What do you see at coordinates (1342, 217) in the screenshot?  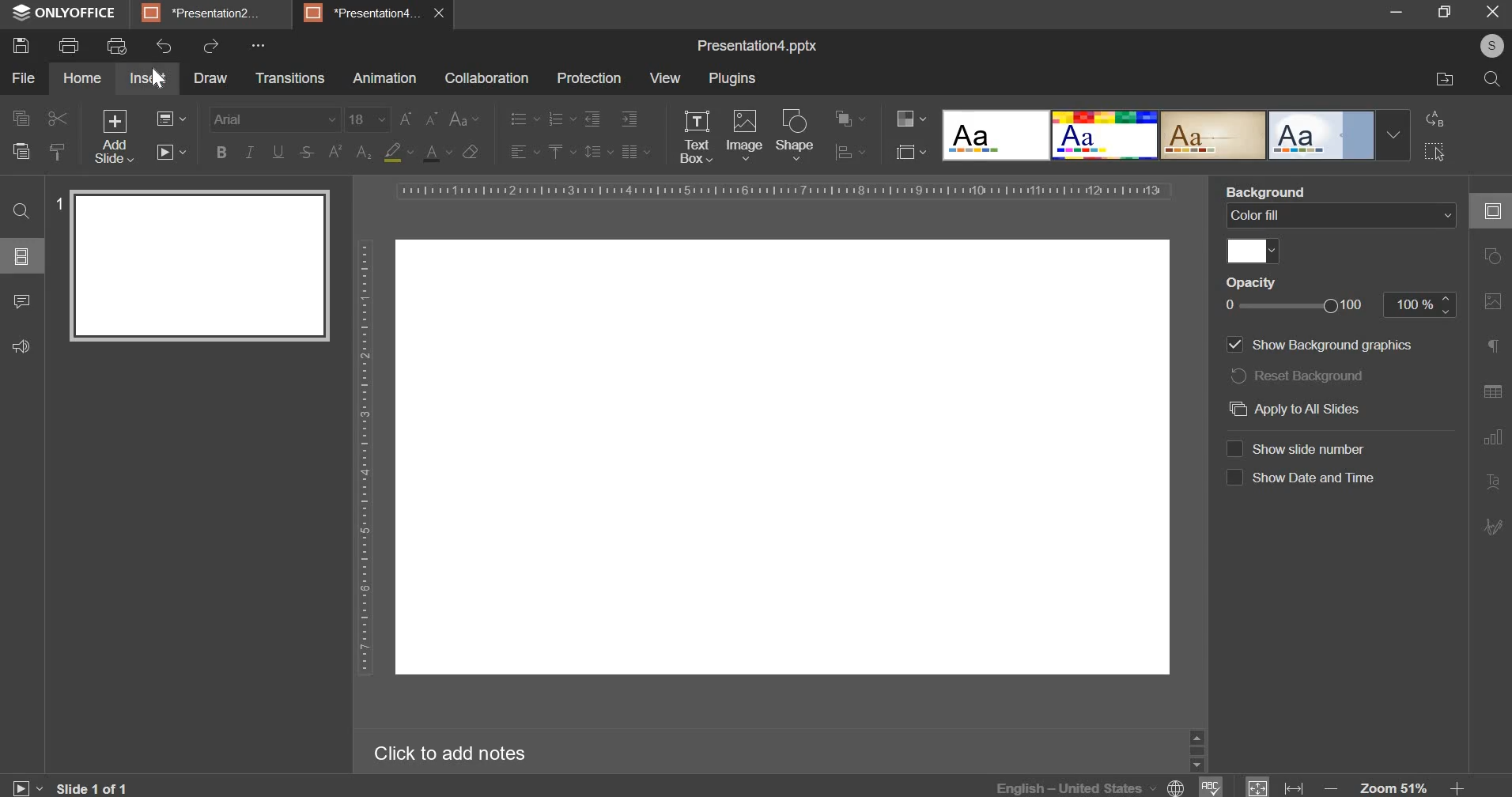 I see `background fill` at bounding box center [1342, 217].